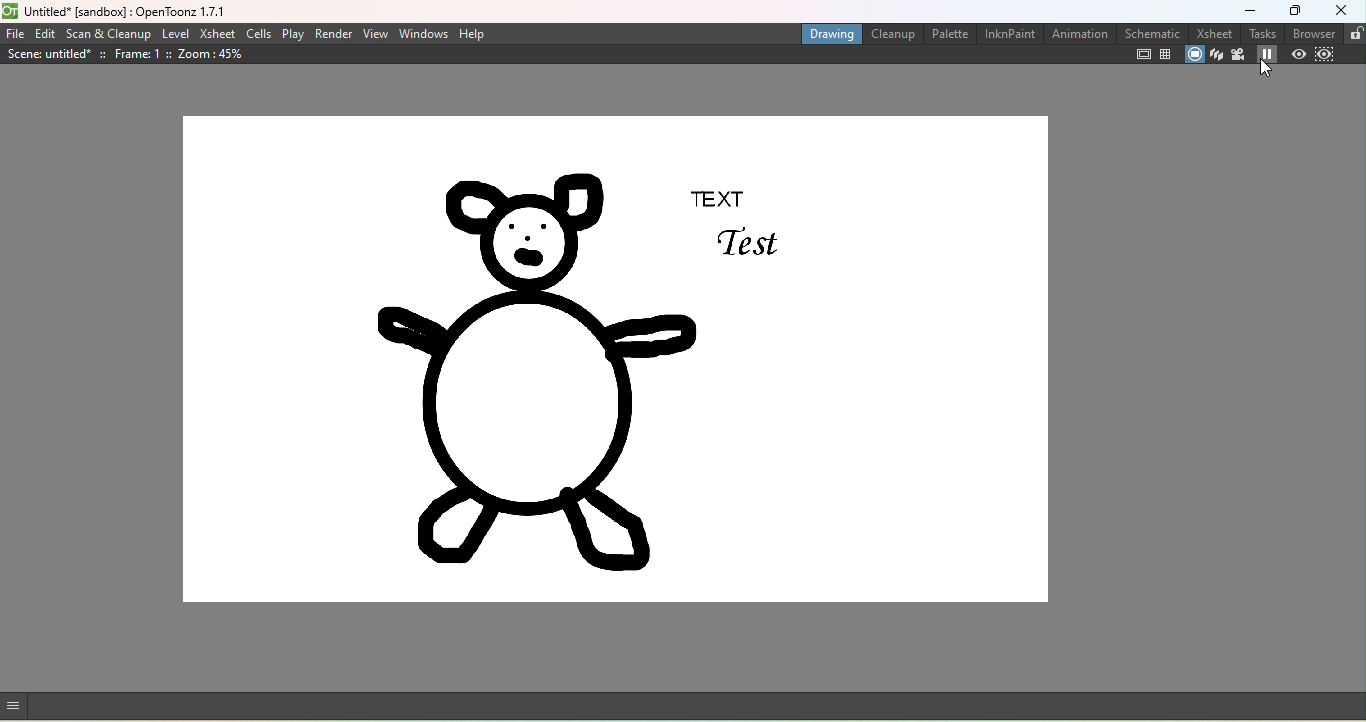 The image size is (1366, 722). I want to click on 3D view, so click(1216, 55).